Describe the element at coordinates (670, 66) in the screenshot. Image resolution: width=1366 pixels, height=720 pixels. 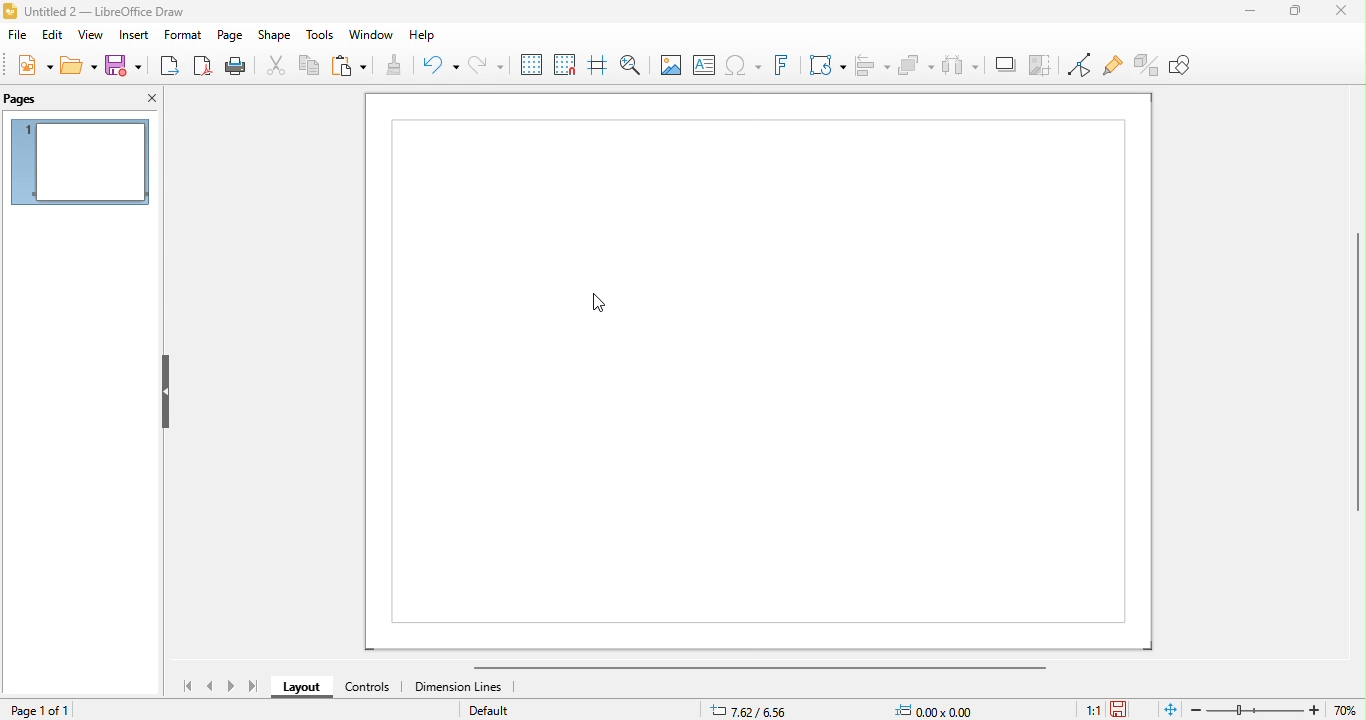
I see `image` at that location.